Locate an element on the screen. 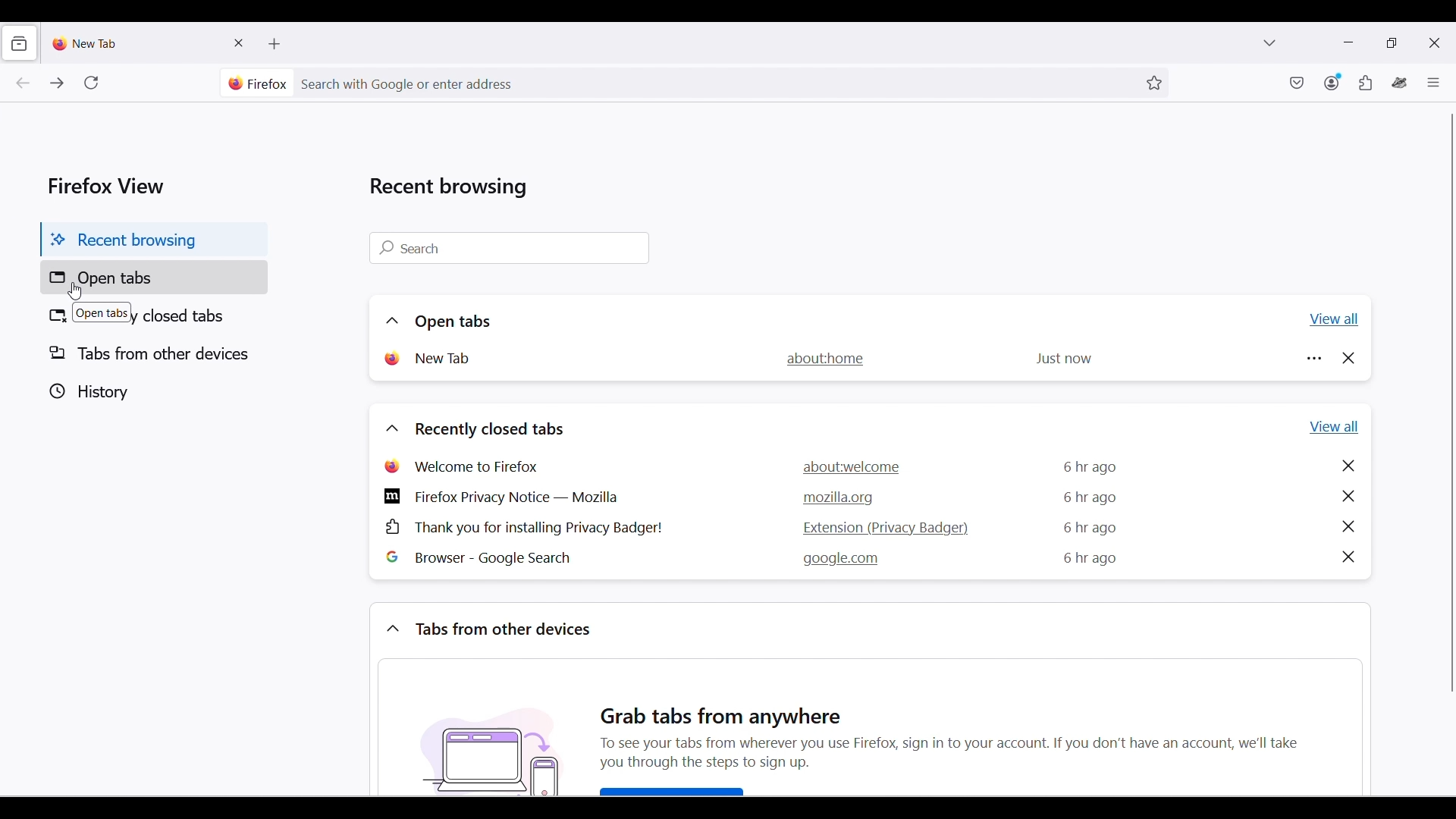  Minimize is located at coordinates (1348, 42).